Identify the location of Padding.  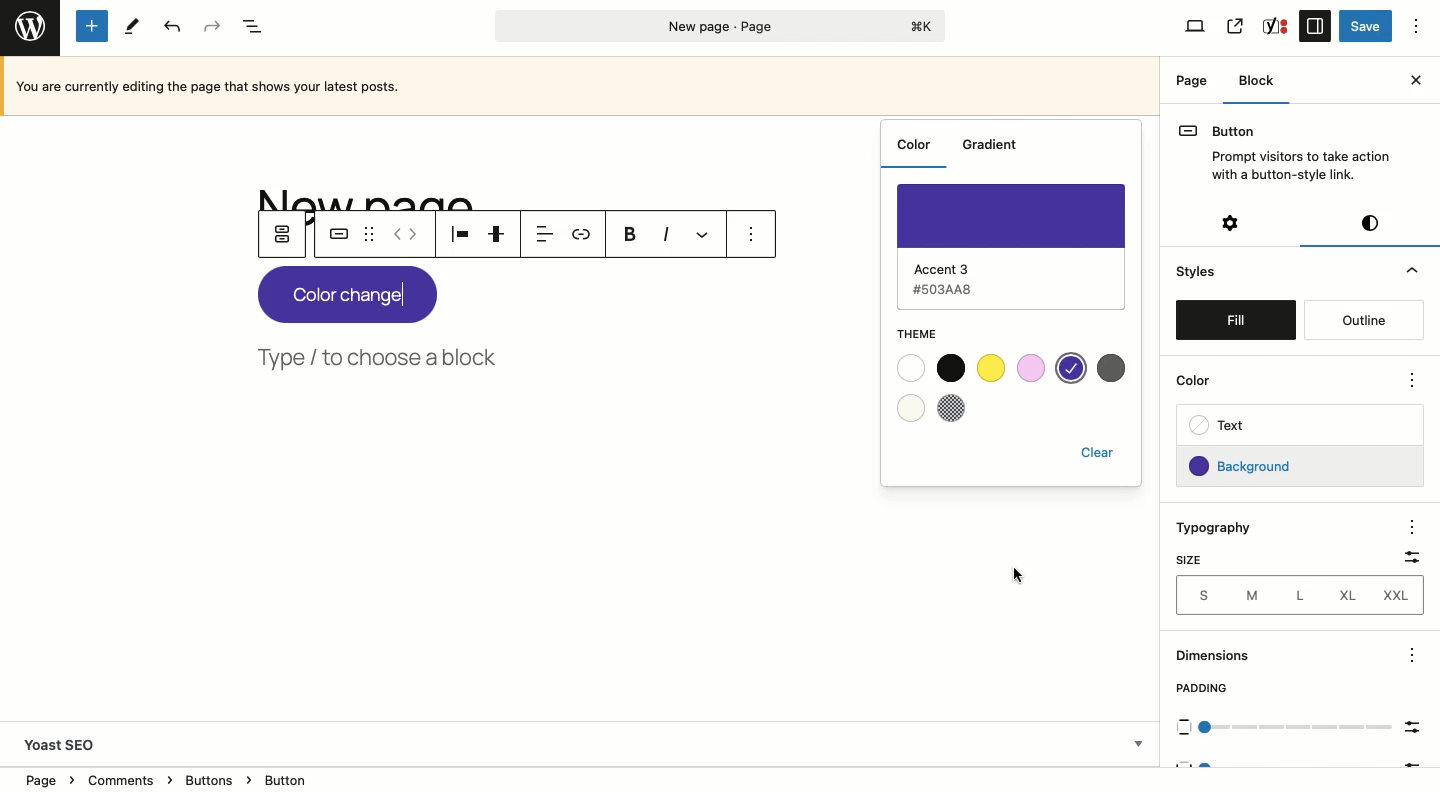
(1205, 687).